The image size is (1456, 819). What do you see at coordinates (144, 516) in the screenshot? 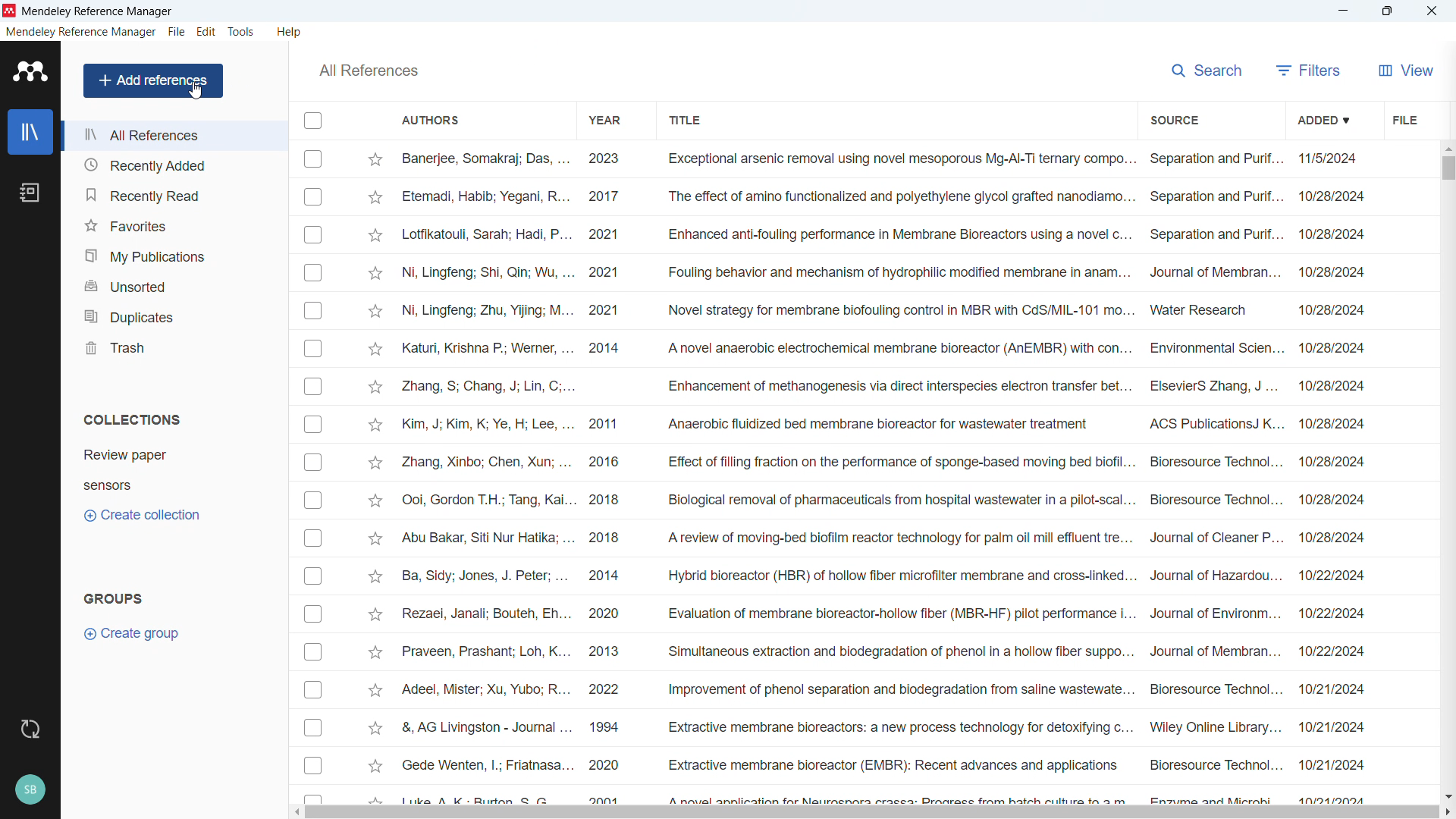
I see `Create collection ` at bounding box center [144, 516].